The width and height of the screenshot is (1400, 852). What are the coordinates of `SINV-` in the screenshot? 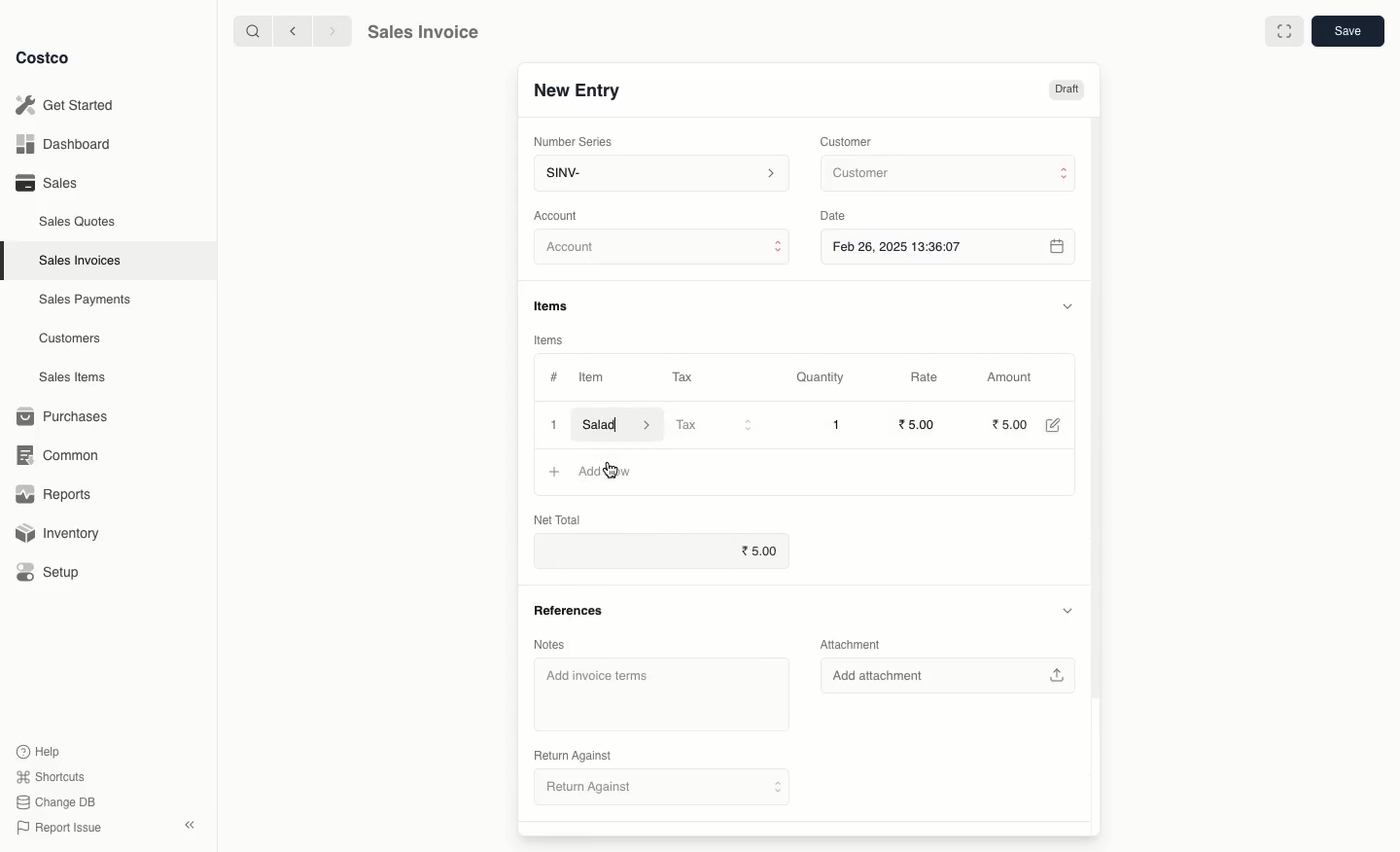 It's located at (660, 175).